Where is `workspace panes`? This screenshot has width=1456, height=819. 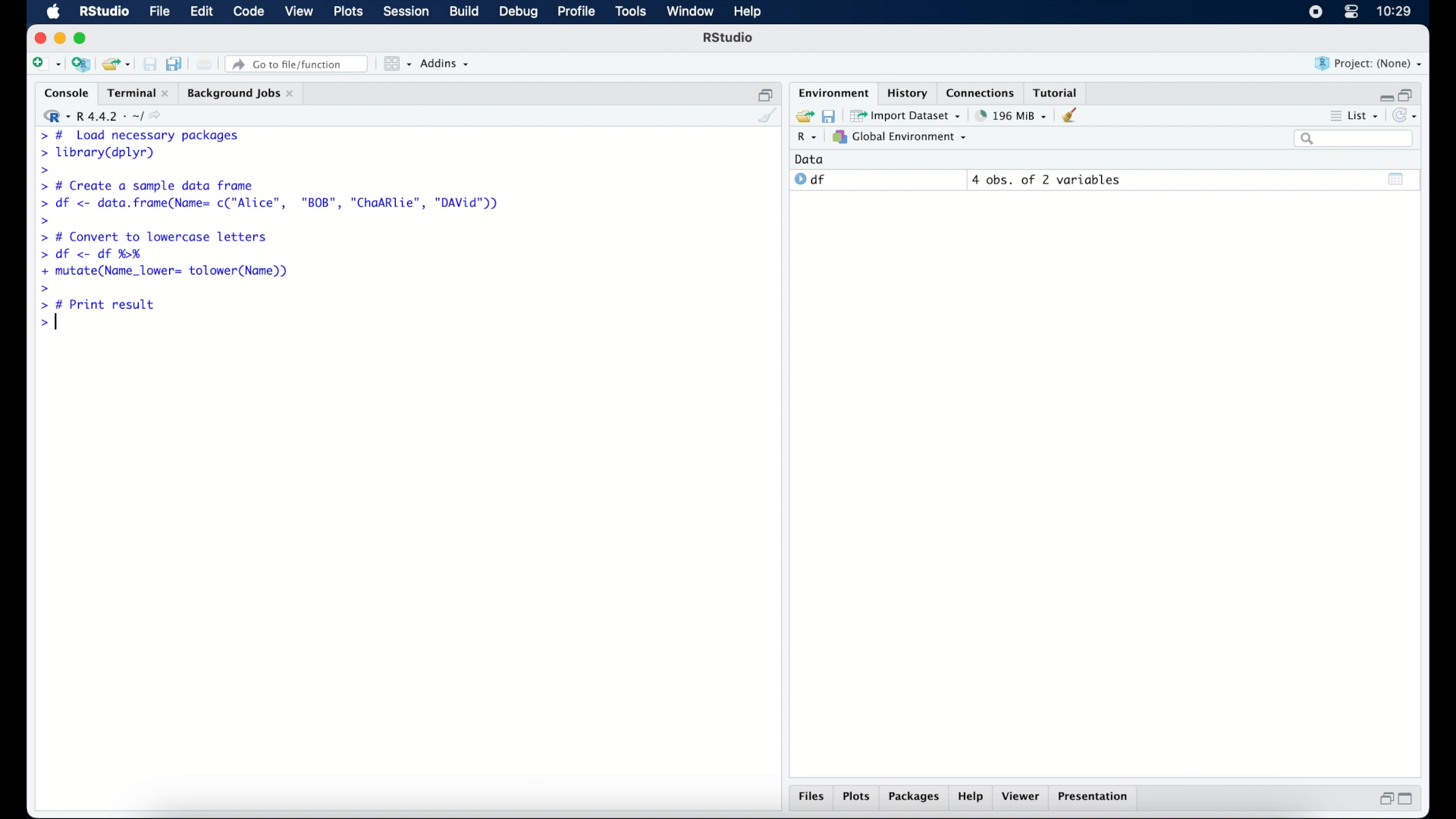
workspace panes is located at coordinates (396, 64).